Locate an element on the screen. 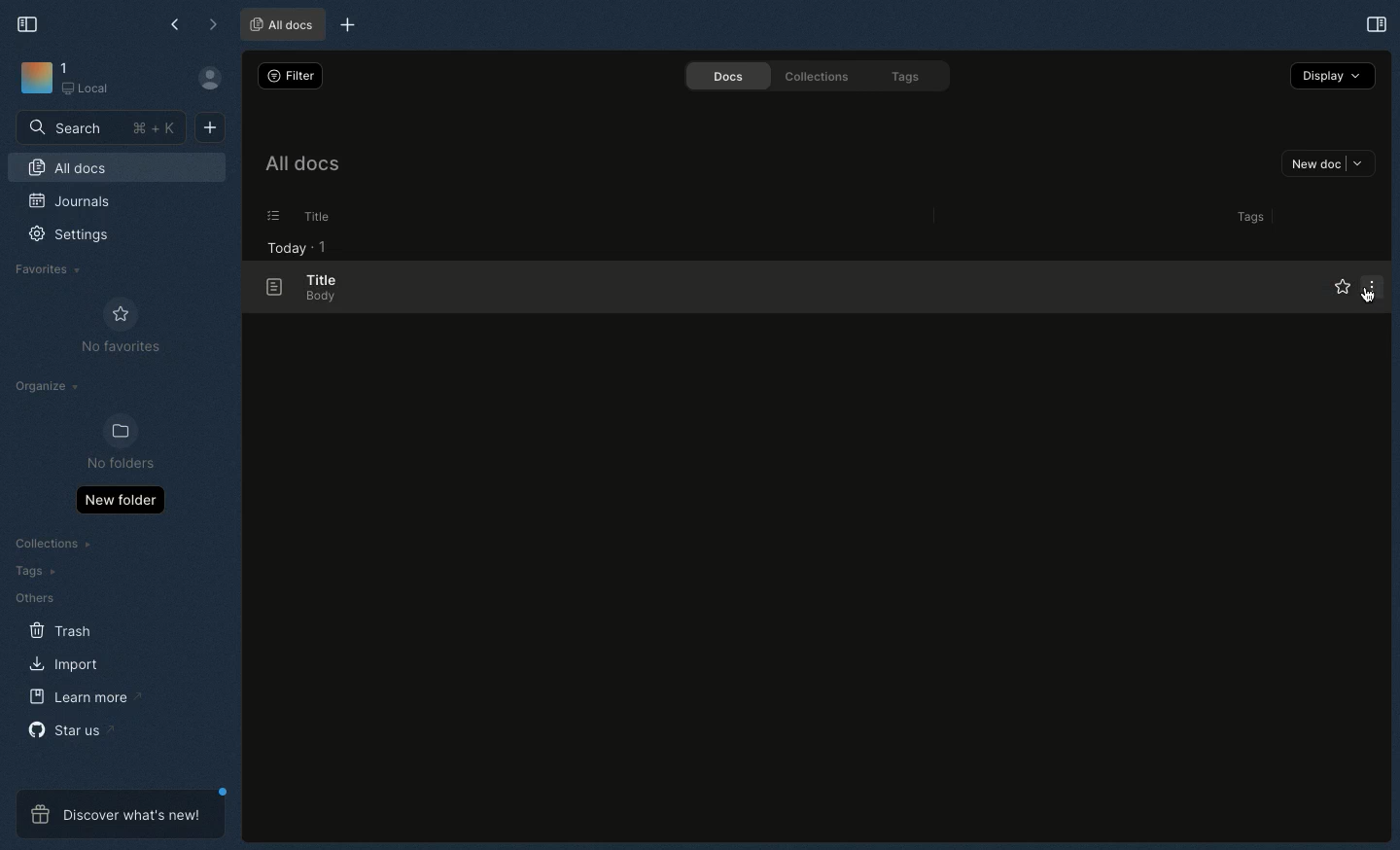  New doc is located at coordinates (210, 125).